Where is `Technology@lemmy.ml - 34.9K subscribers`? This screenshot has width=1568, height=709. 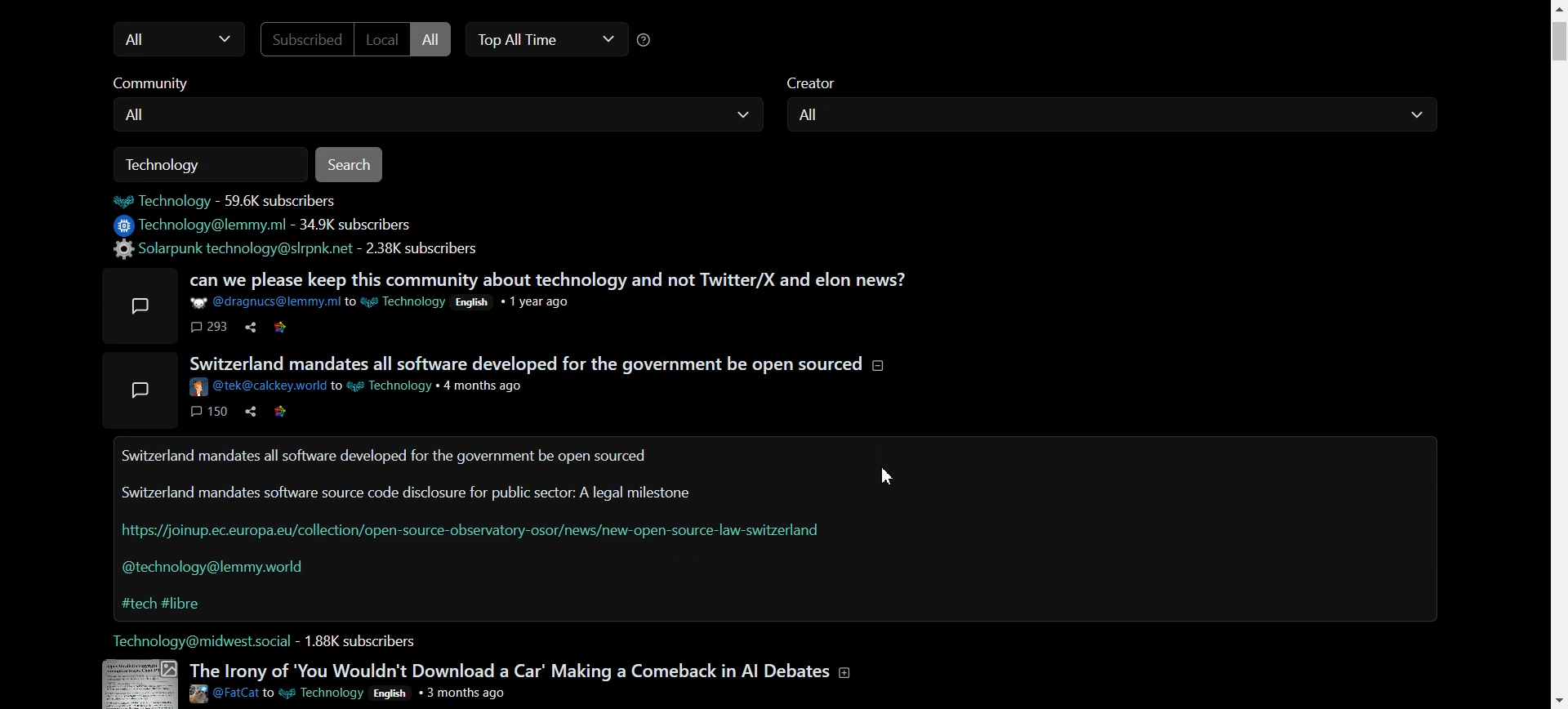
Technology@lemmy.ml - 34.9K subscribers is located at coordinates (265, 225).